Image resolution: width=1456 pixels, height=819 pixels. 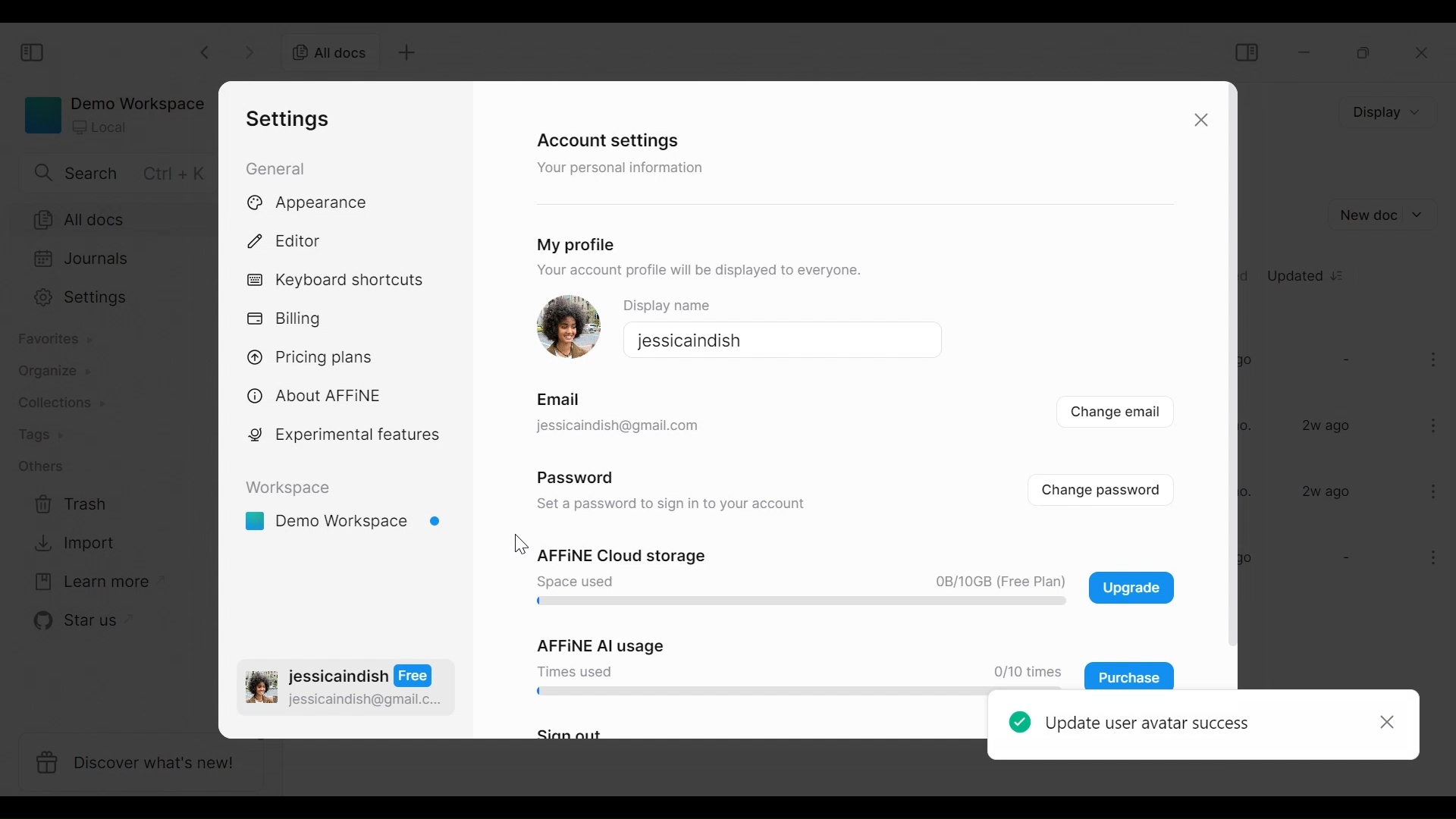 What do you see at coordinates (1116, 414) in the screenshot?
I see `Change email` at bounding box center [1116, 414].